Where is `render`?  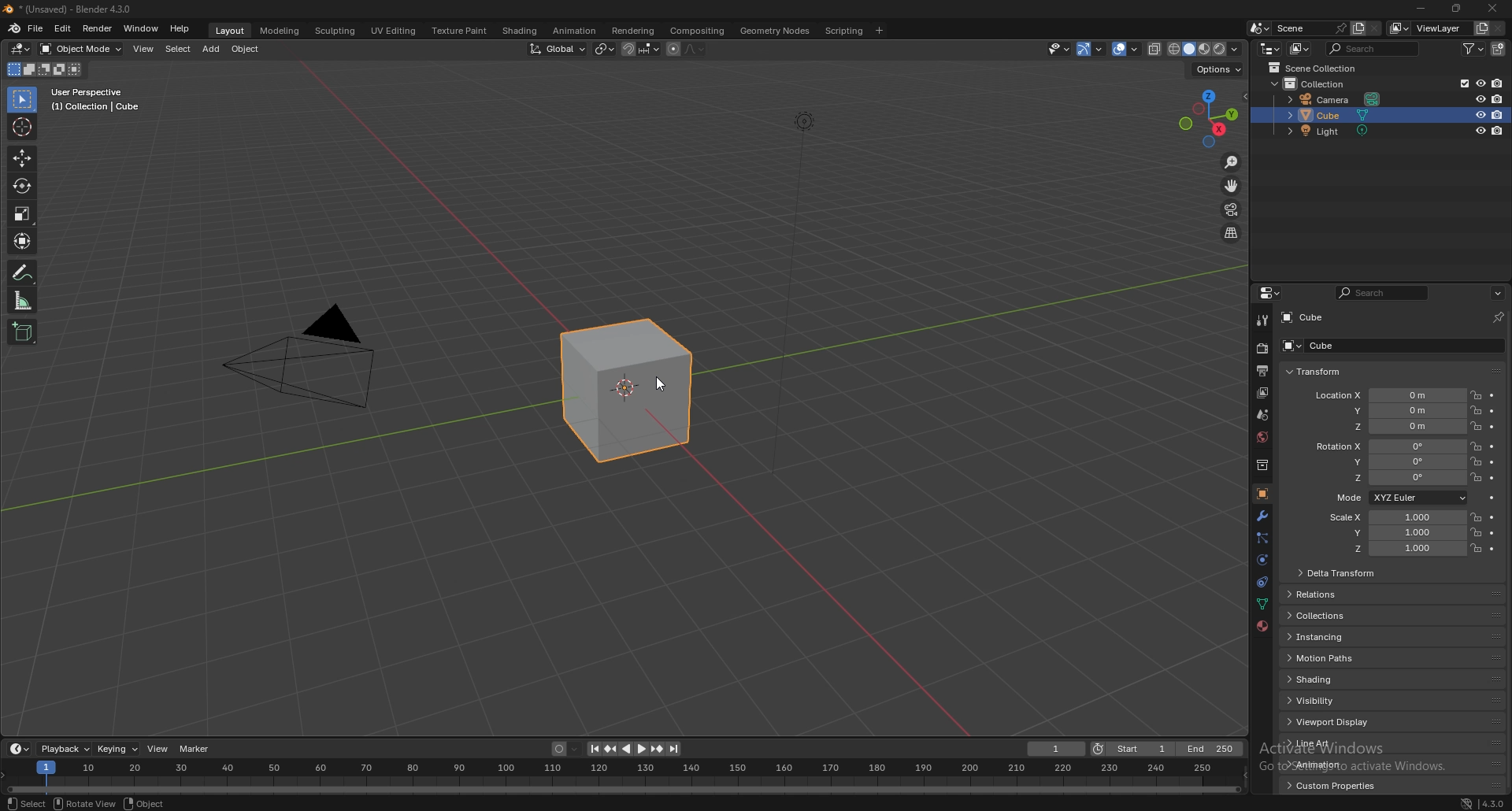
render is located at coordinates (97, 28).